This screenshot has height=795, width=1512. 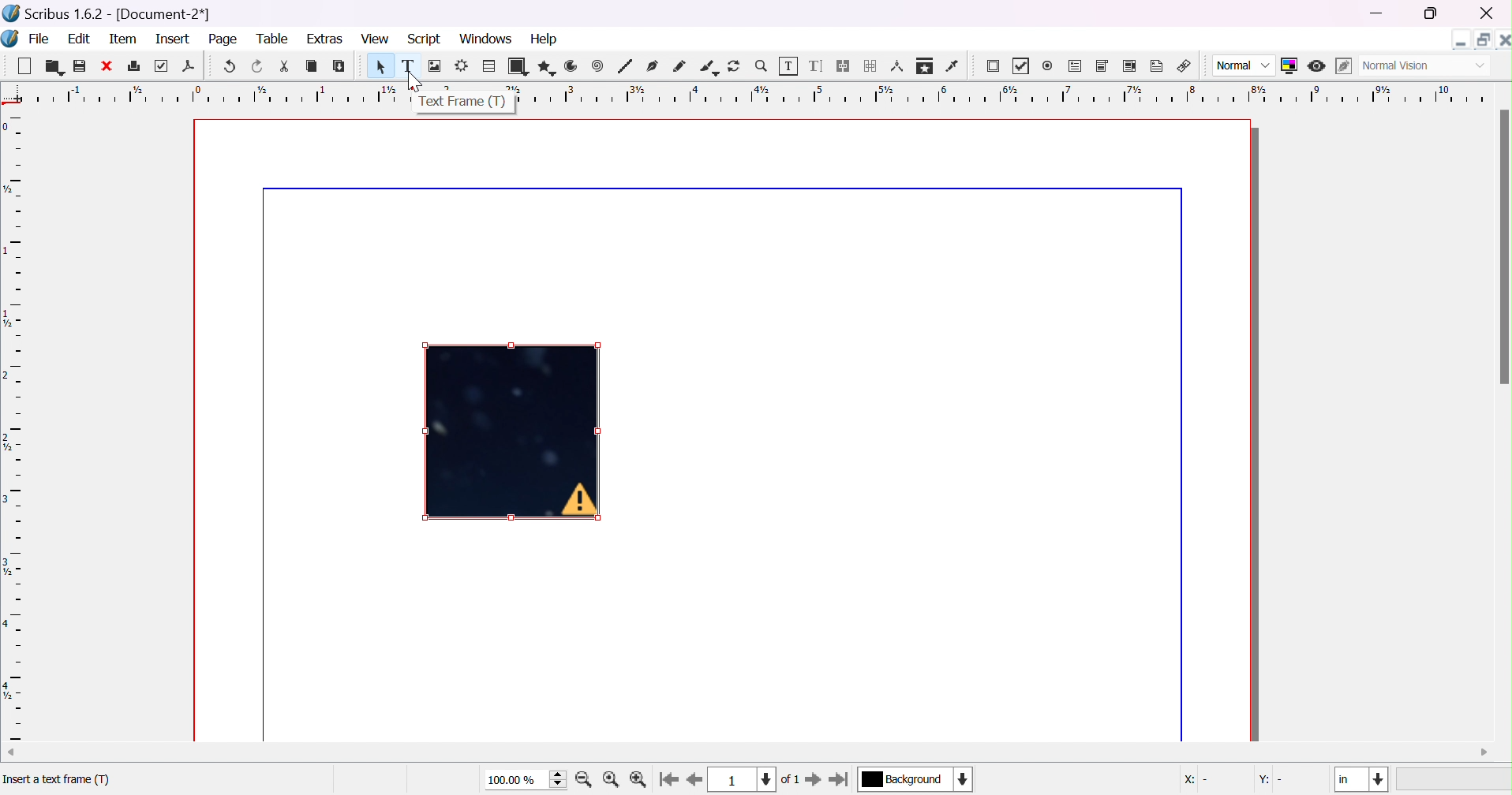 What do you see at coordinates (735, 65) in the screenshot?
I see `rotate item` at bounding box center [735, 65].